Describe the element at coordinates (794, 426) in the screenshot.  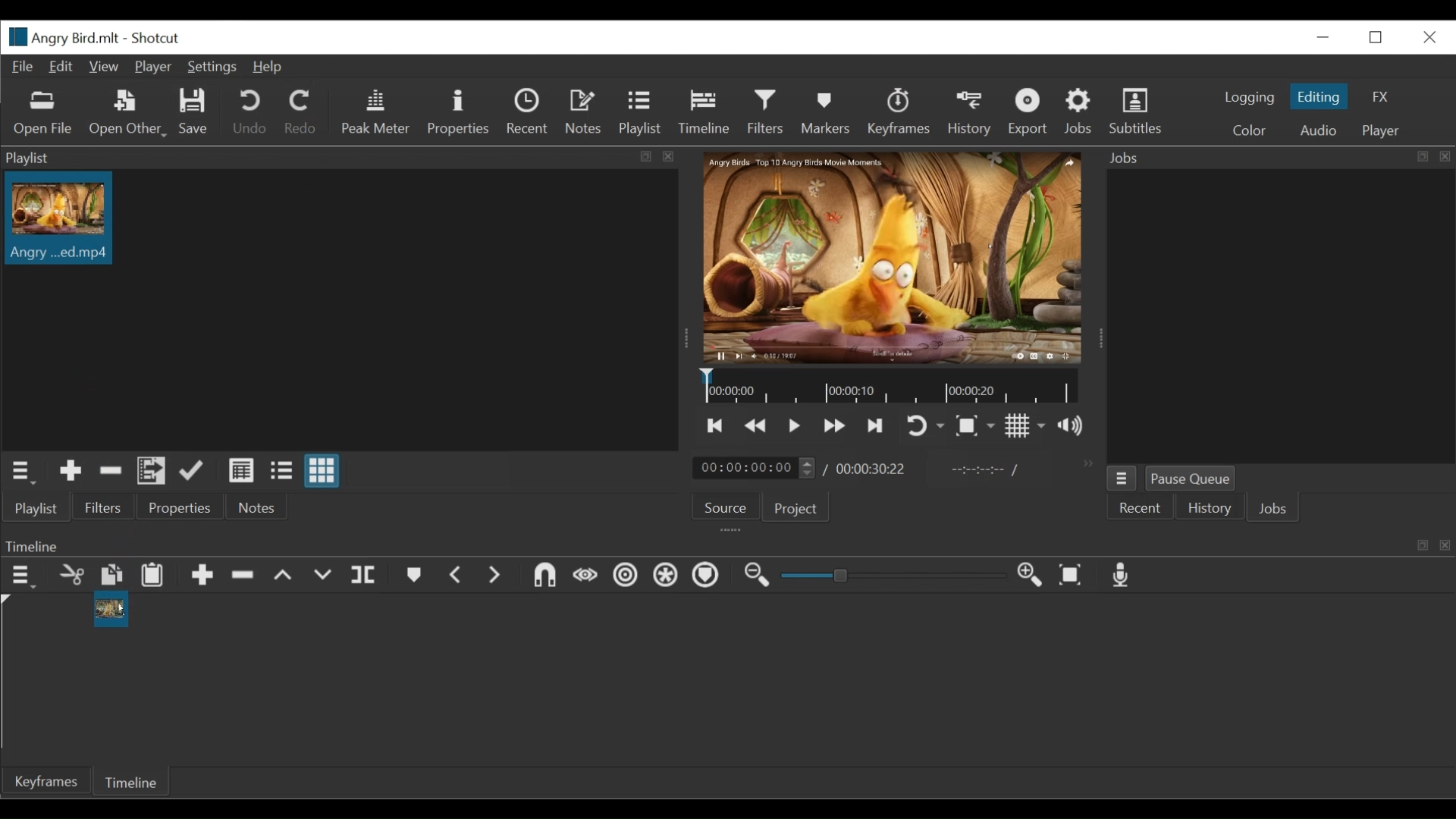
I see `Toggle play or pause (space)` at that location.